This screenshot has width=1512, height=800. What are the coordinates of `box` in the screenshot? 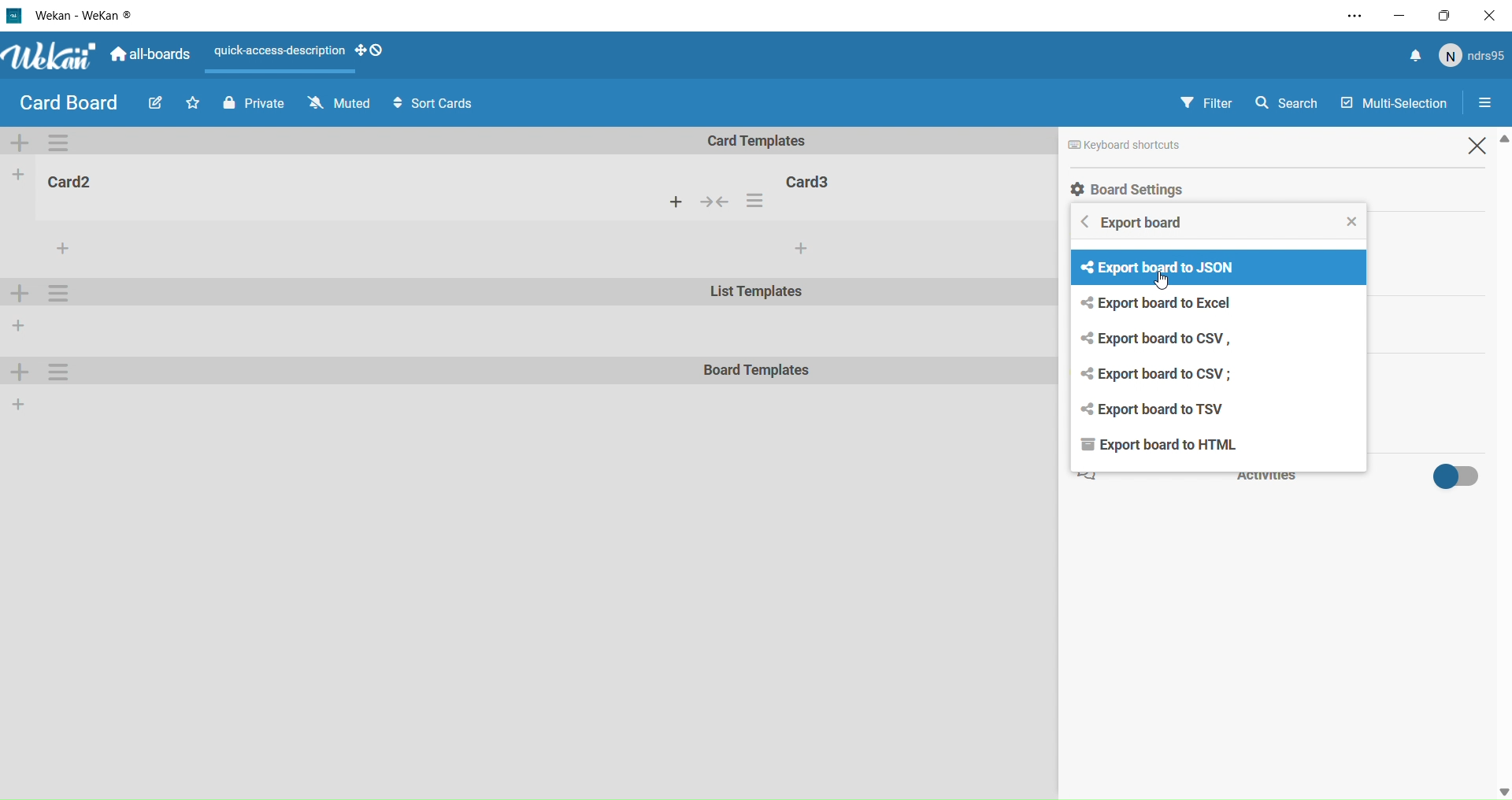 It's located at (1449, 15).